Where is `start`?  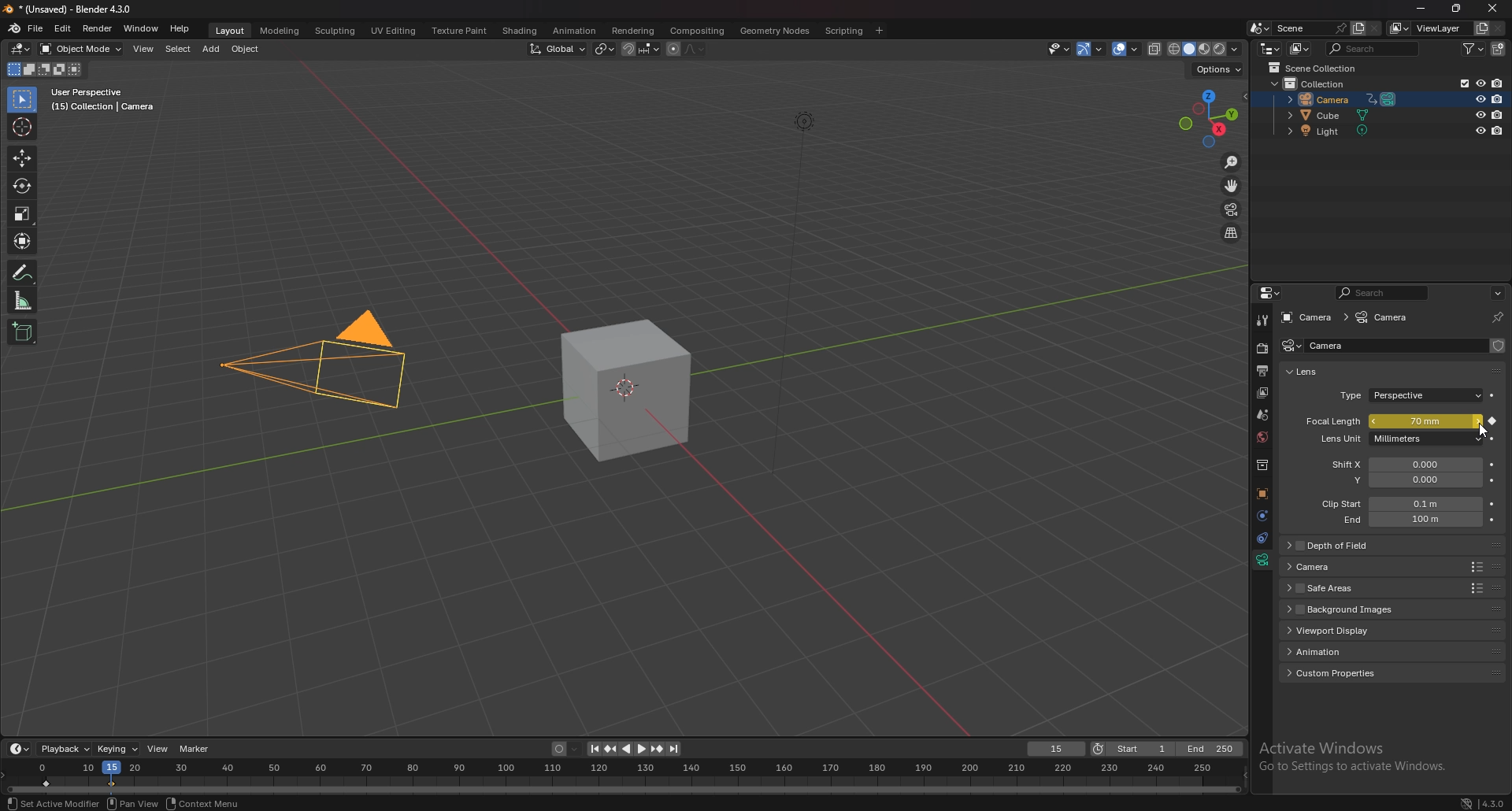 start is located at coordinates (1132, 750).